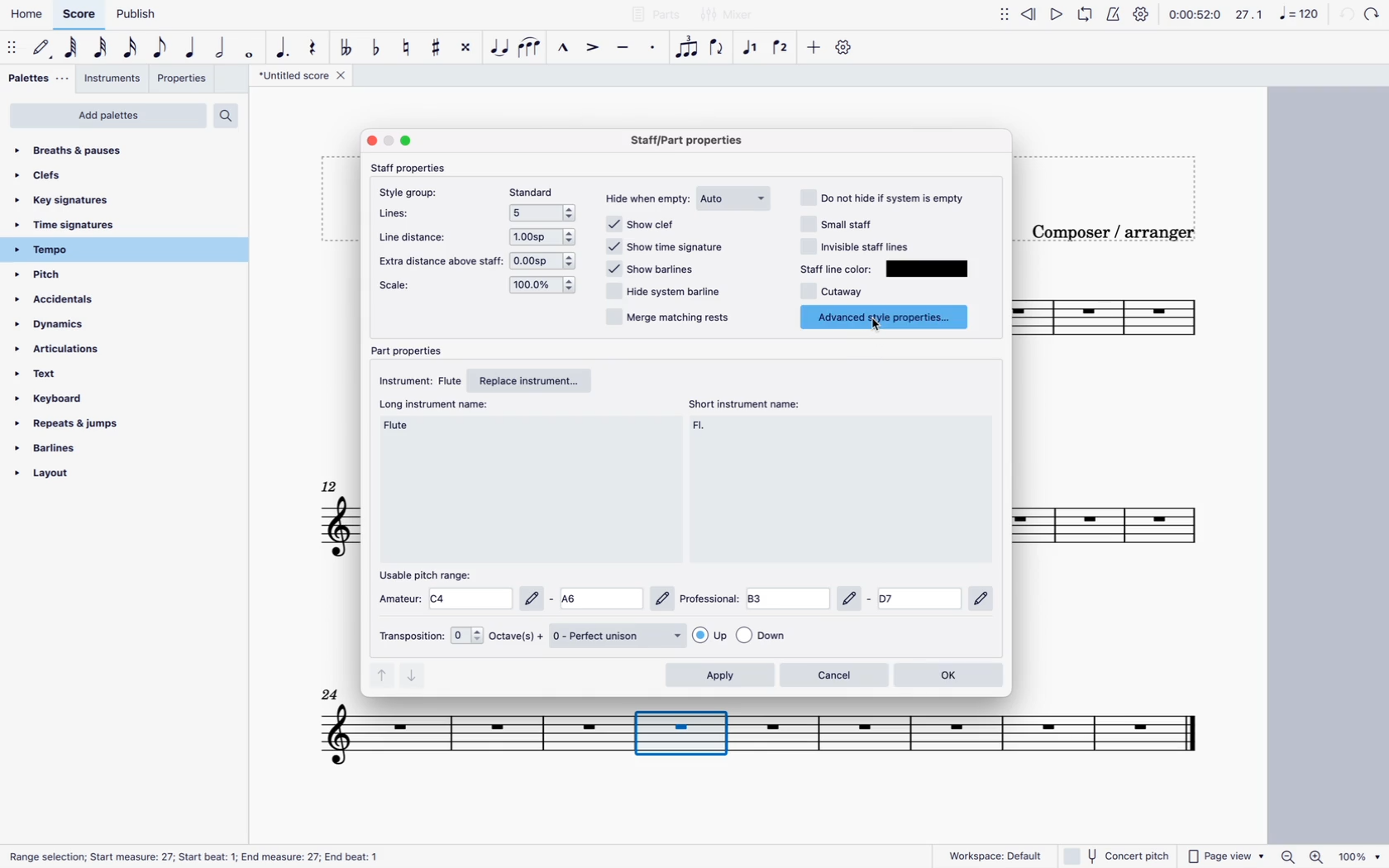 This screenshot has width=1389, height=868. I want to click on toggle flat, so click(379, 47).